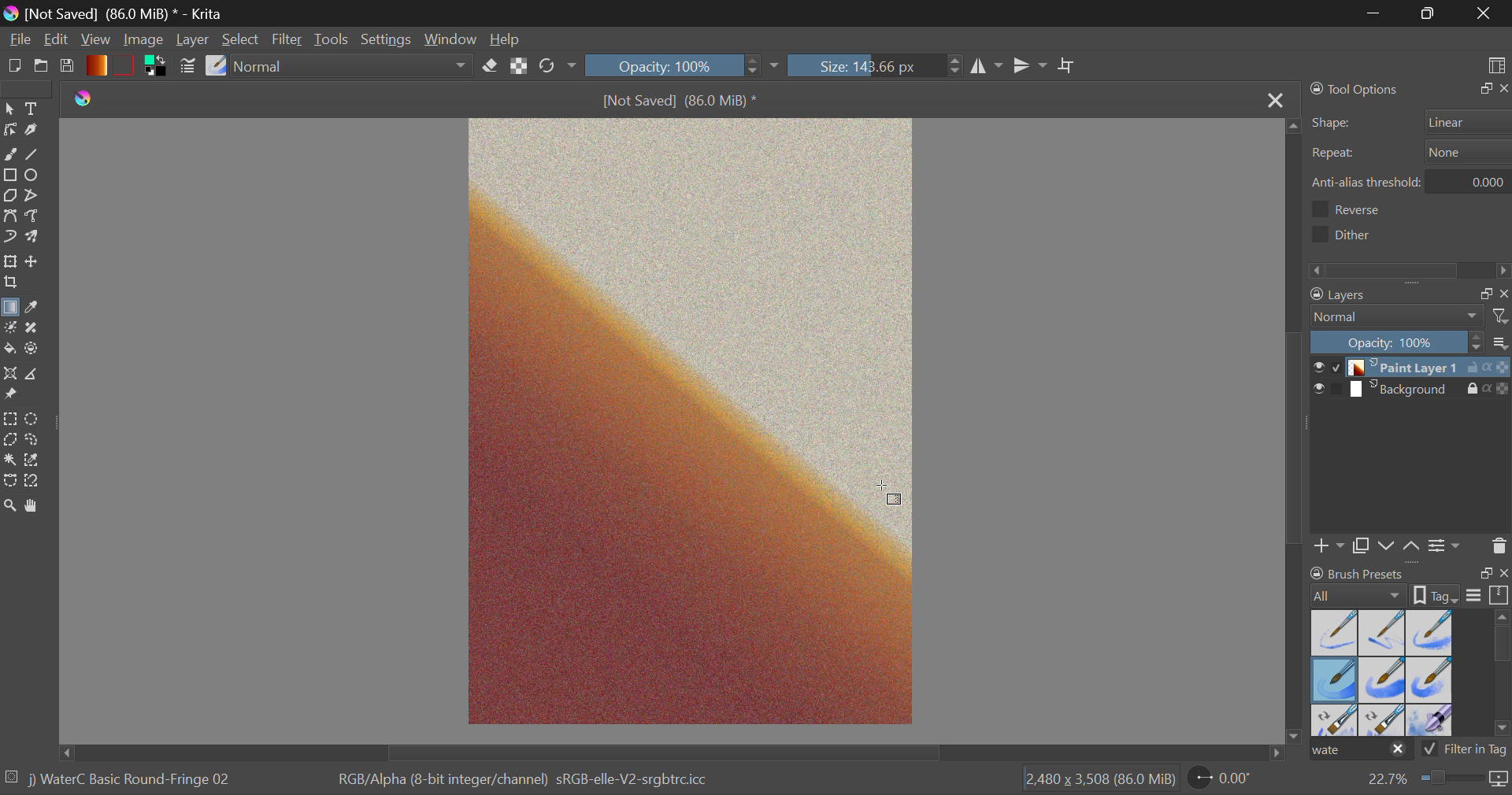  Describe the element at coordinates (1376, 13) in the screenshot. I see `Restore Down` at that location.